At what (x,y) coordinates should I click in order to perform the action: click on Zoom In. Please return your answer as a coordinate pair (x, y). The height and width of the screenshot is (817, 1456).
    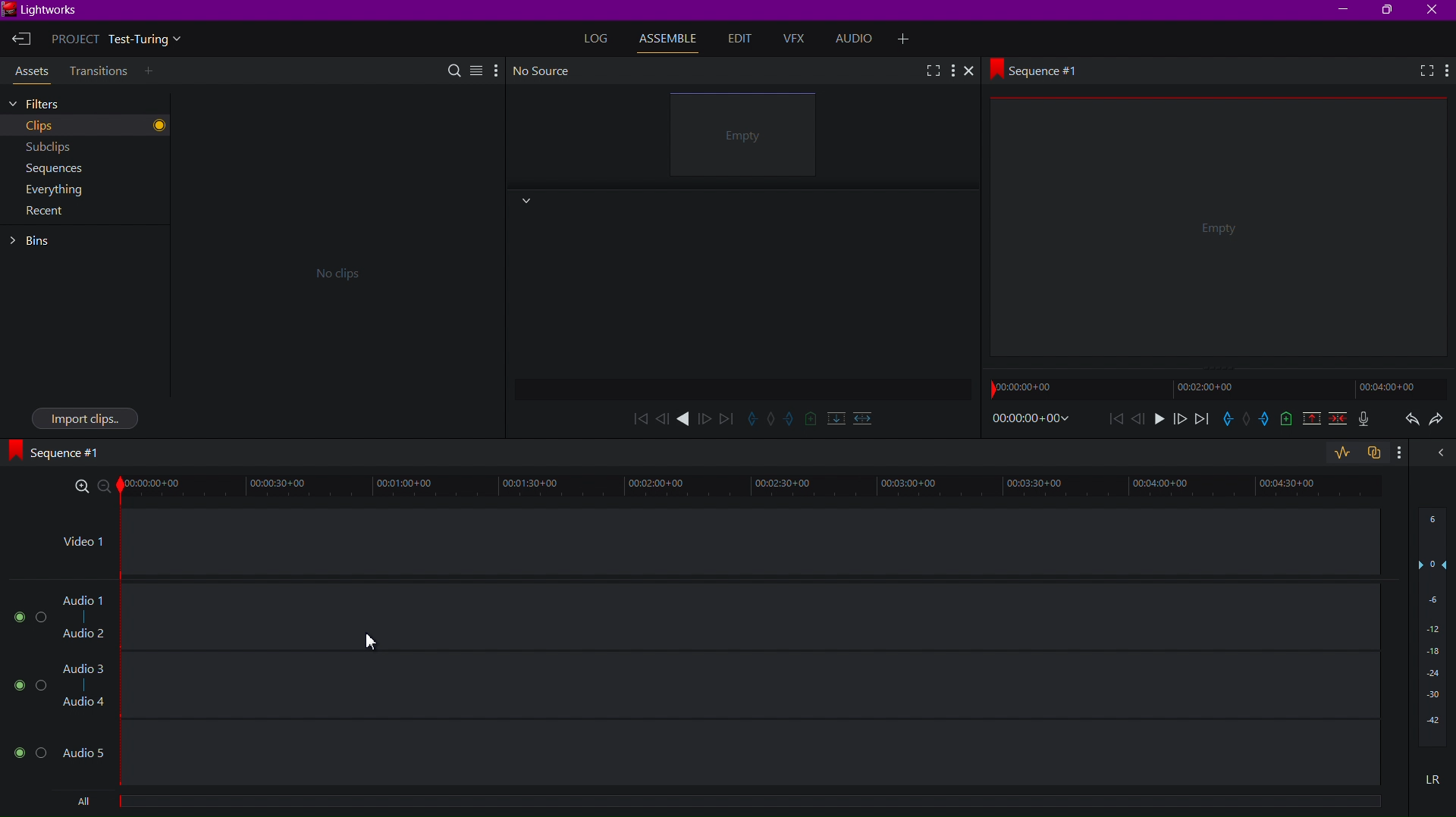
    Looking at the image, I should click on (83, 487).